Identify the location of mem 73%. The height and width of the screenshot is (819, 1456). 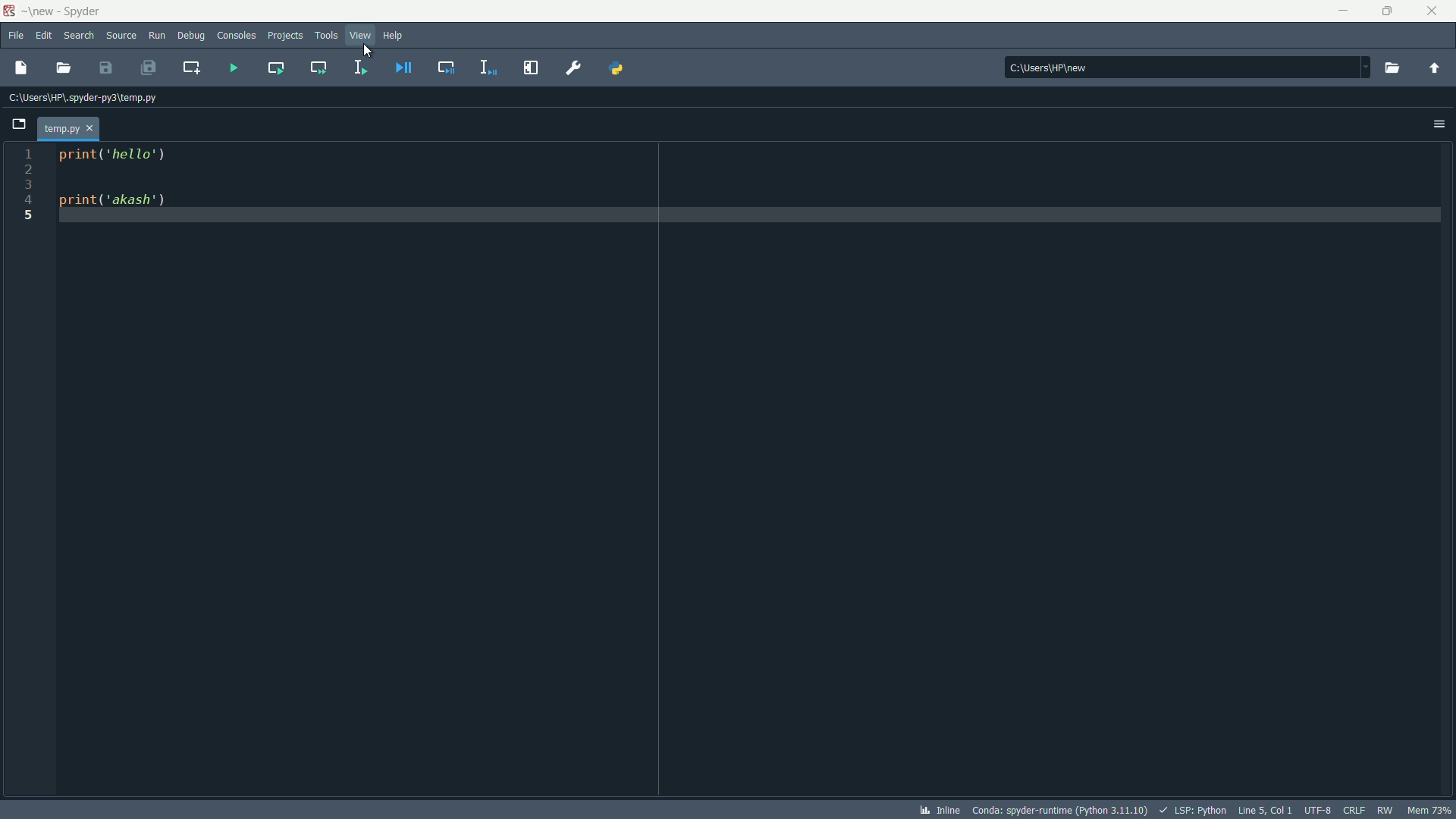
(1429, 810).